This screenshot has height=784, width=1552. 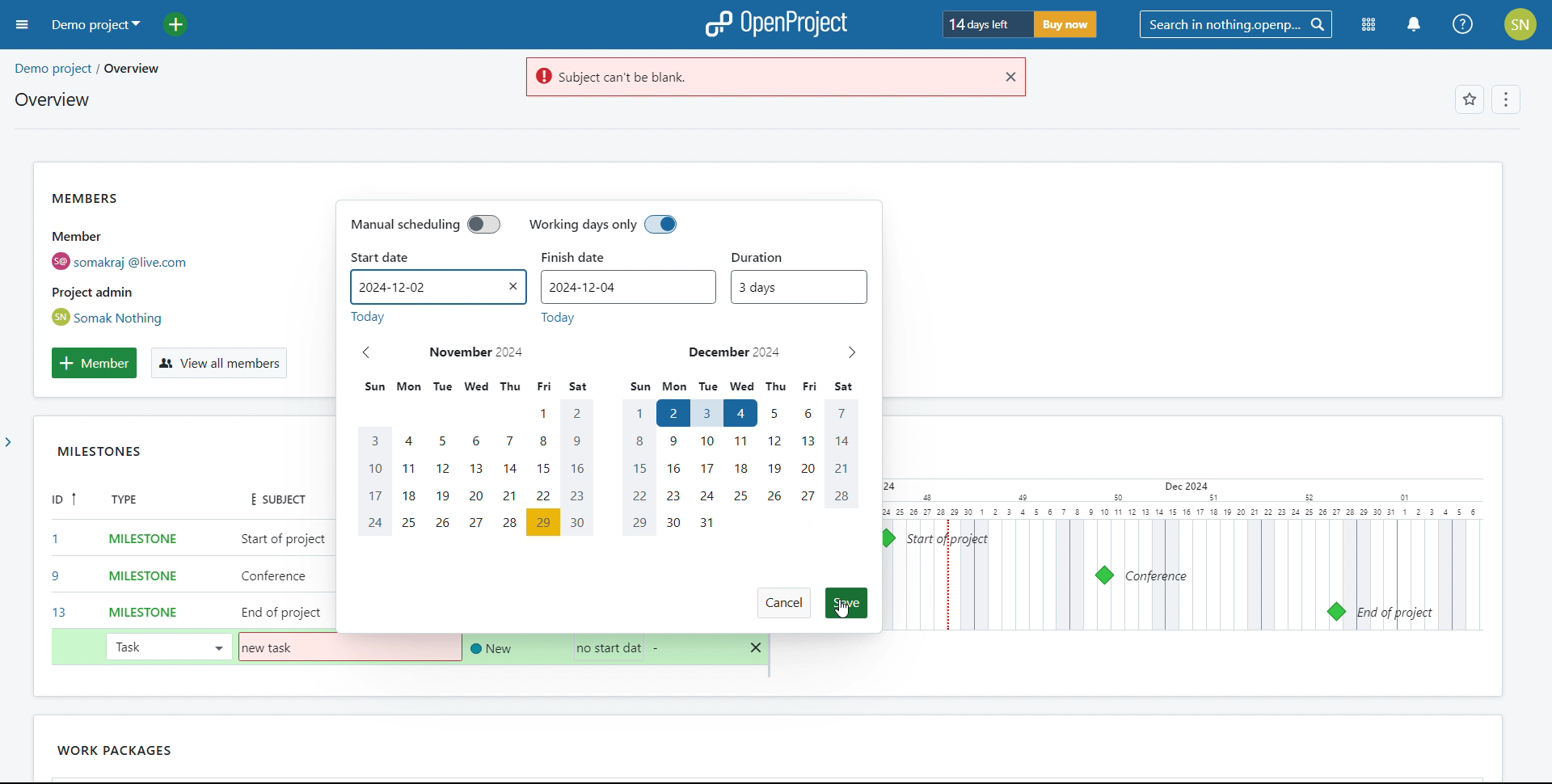 I want to click on remove, so click(x=513, y=287).